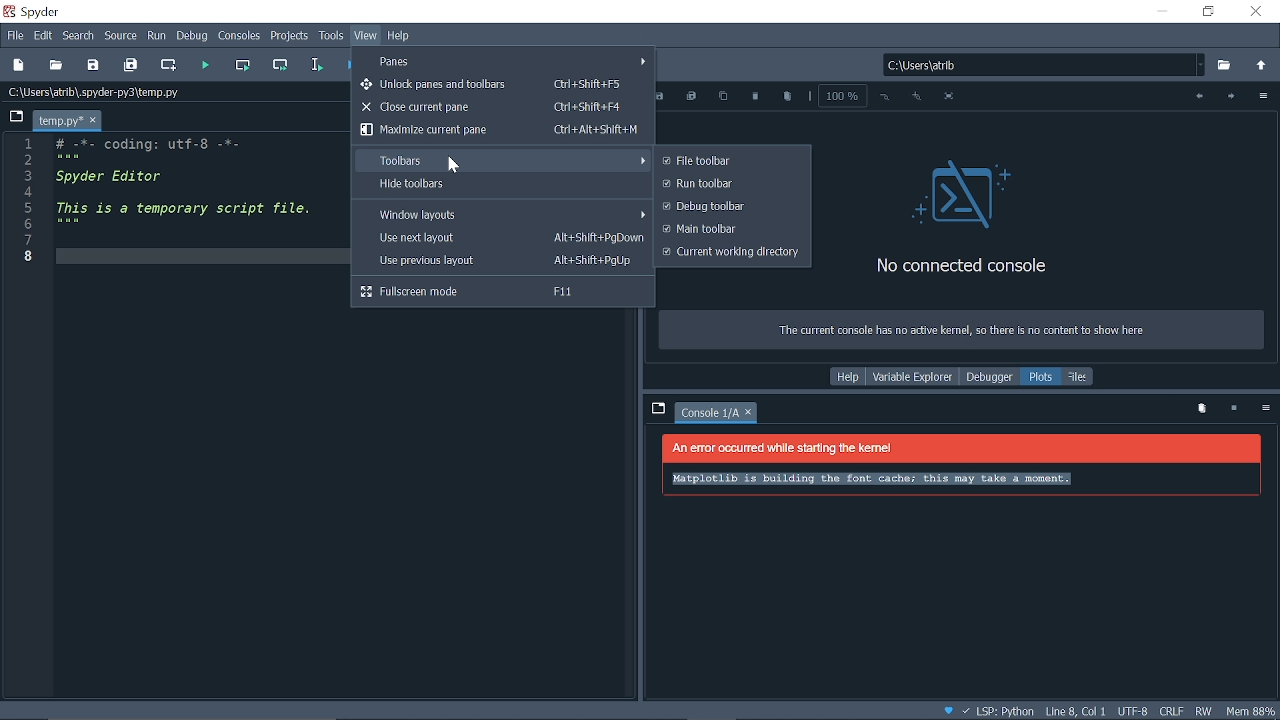 Image resolution: width=1280 pixels, height=720 pixels. I want to click on New, so click(18, 65).